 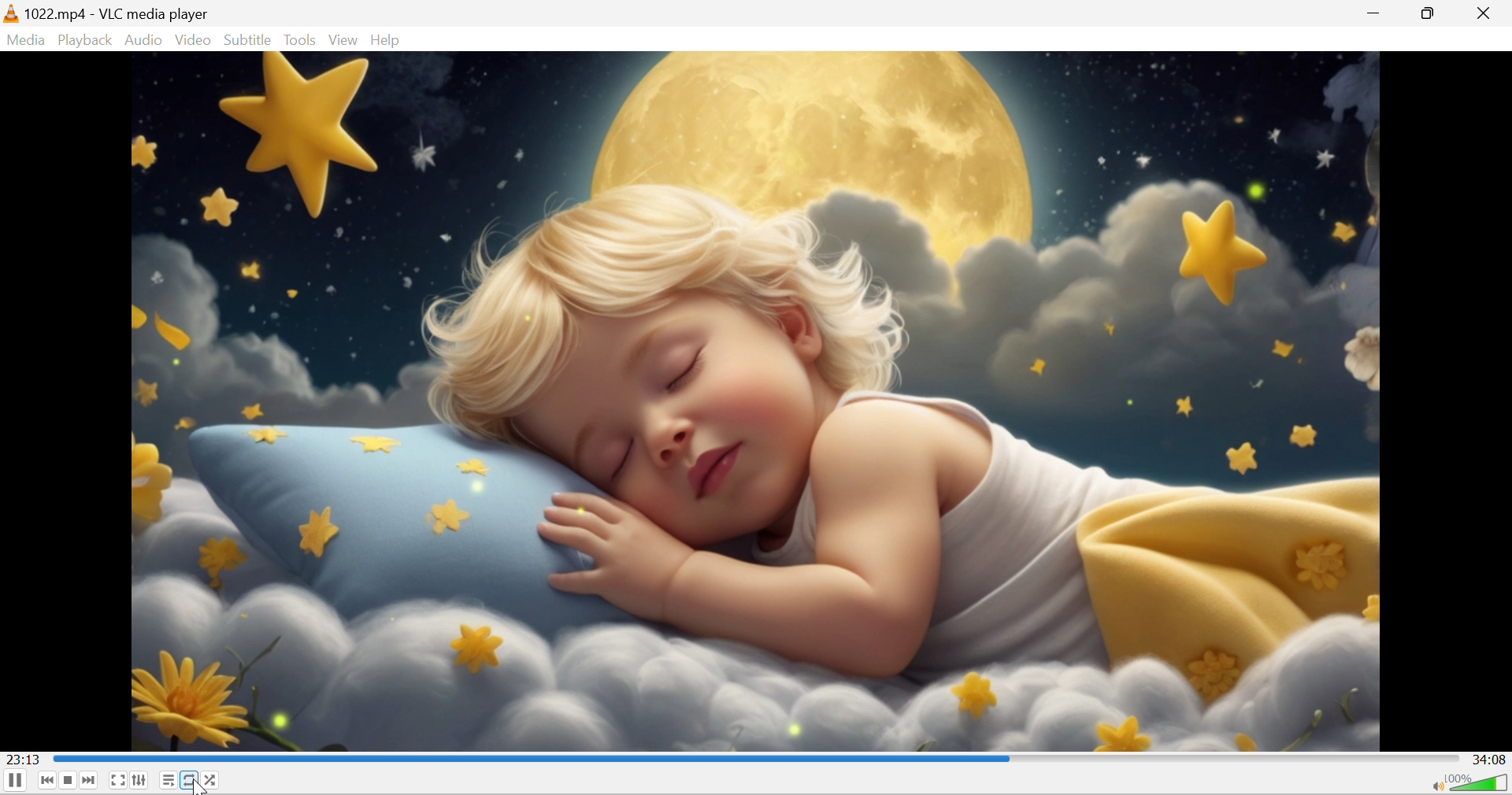 I want to click on Audio, so click(x=145, y=41).